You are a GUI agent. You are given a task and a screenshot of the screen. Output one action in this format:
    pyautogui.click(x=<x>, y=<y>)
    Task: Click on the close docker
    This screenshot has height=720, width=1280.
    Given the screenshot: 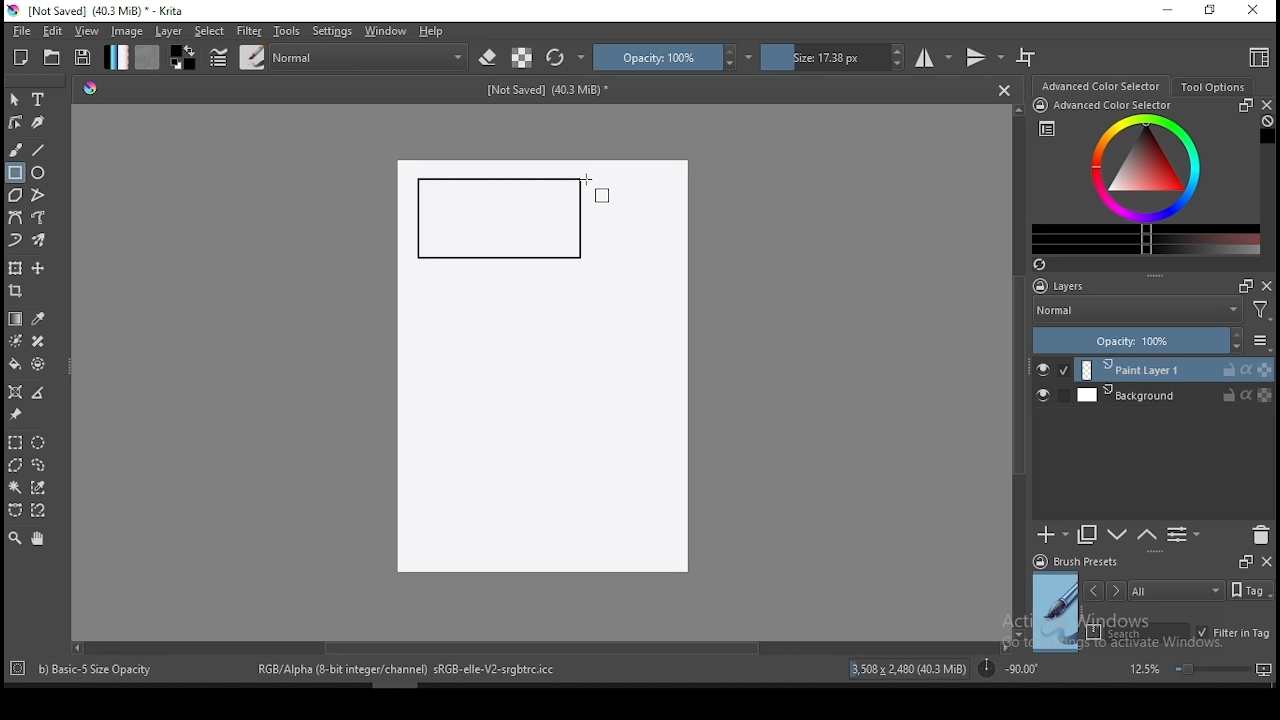 What is the action you would take?
    pyautogui.click(x=1266, y=560)
    